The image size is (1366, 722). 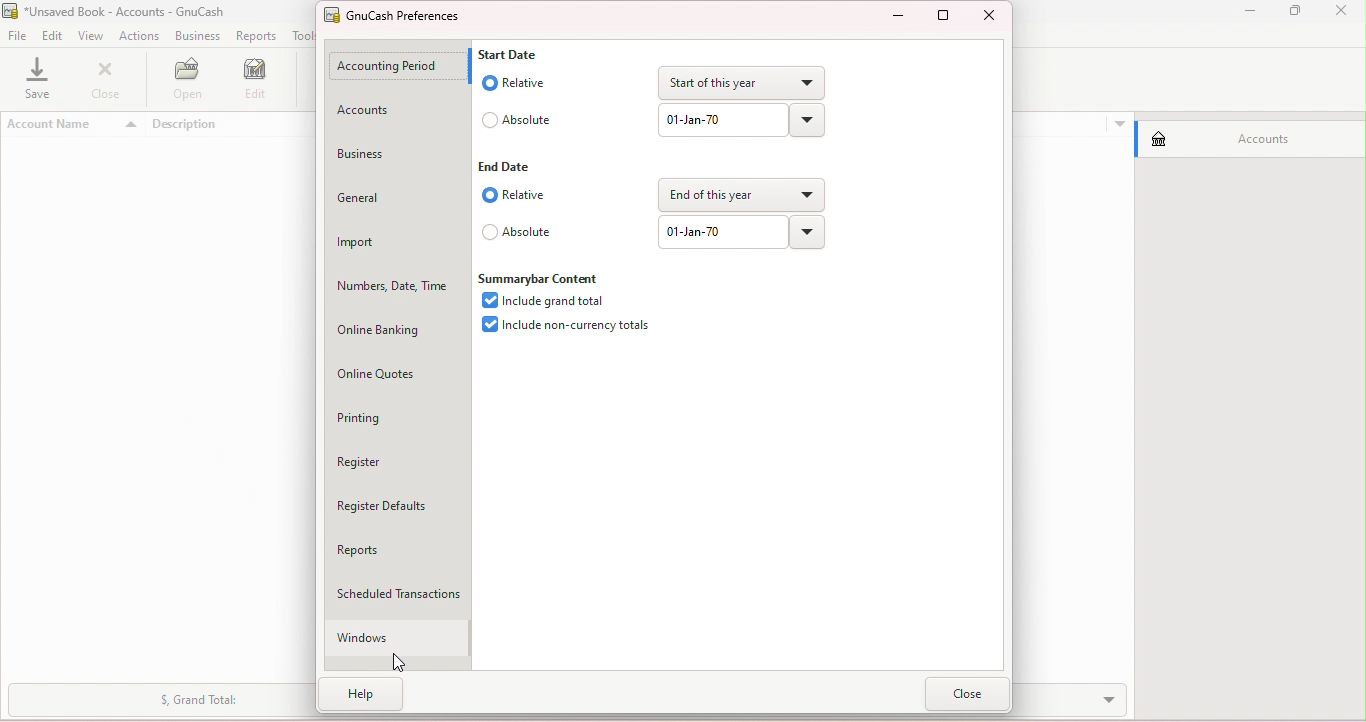 I want to click on Absolute, so click(x=514, y=119).